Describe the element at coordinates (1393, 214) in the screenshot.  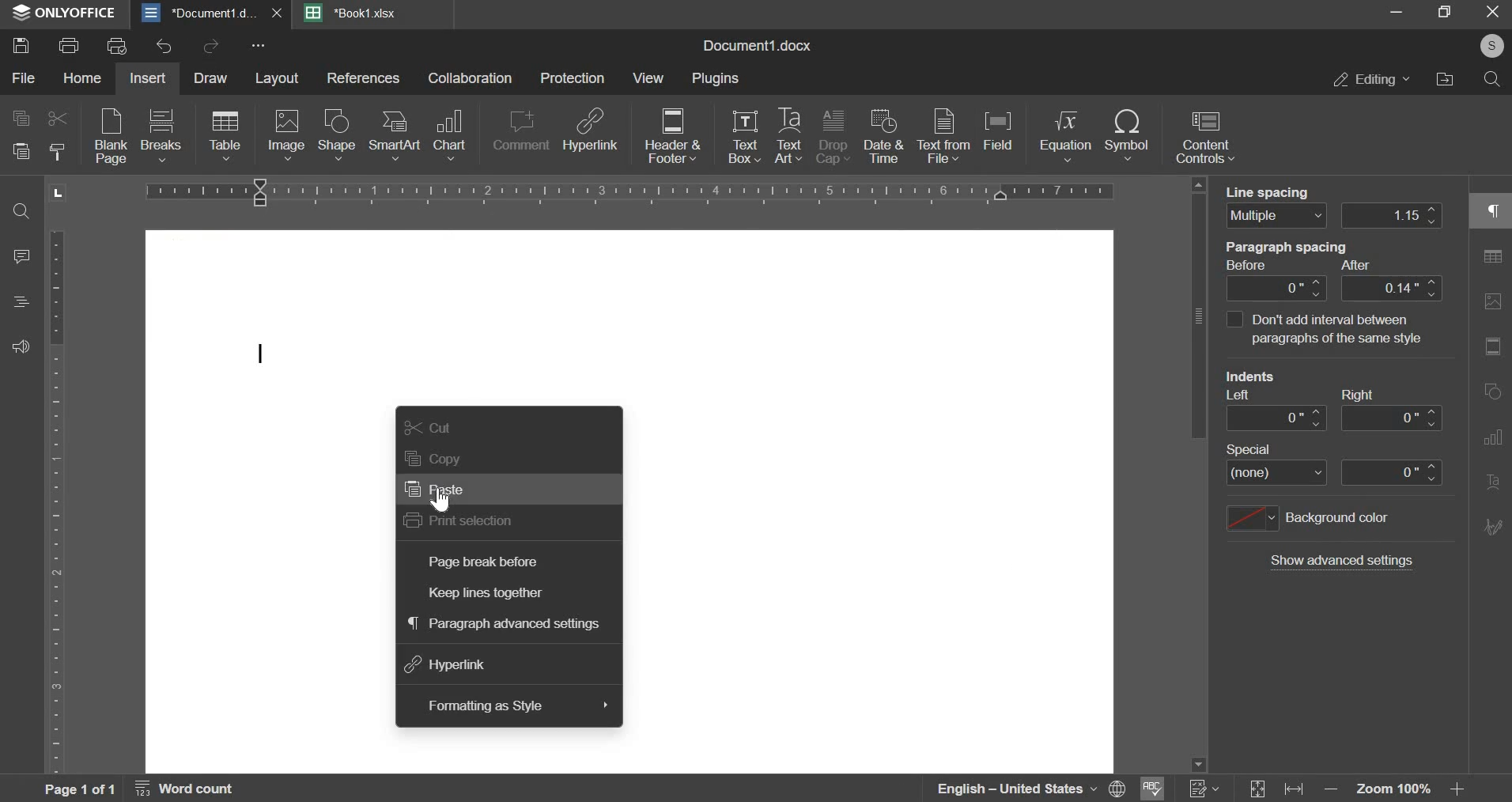
I see `line width` at that location.